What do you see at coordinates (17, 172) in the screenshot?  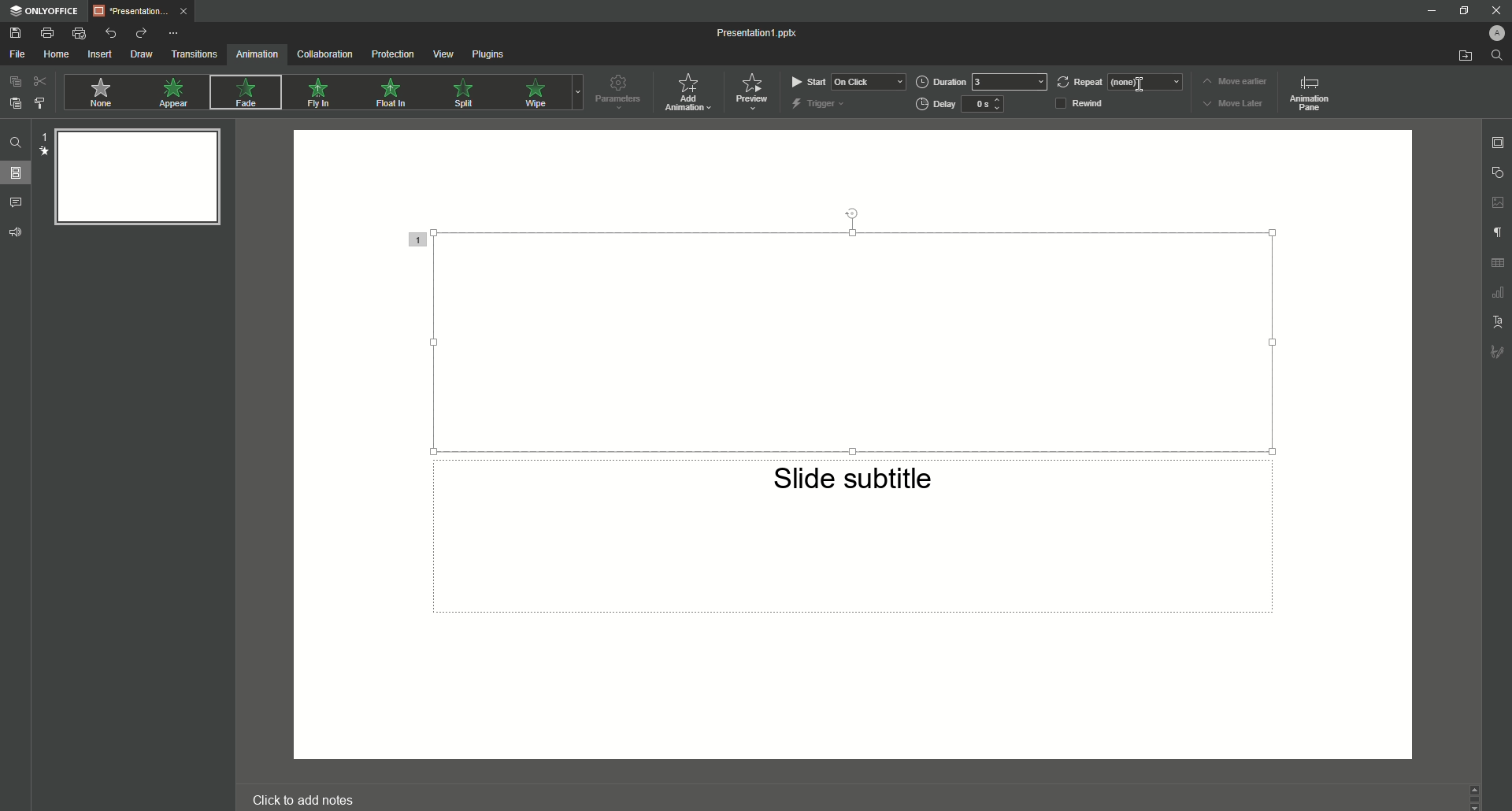 I see `Slides` at bounding box center [17, 172].